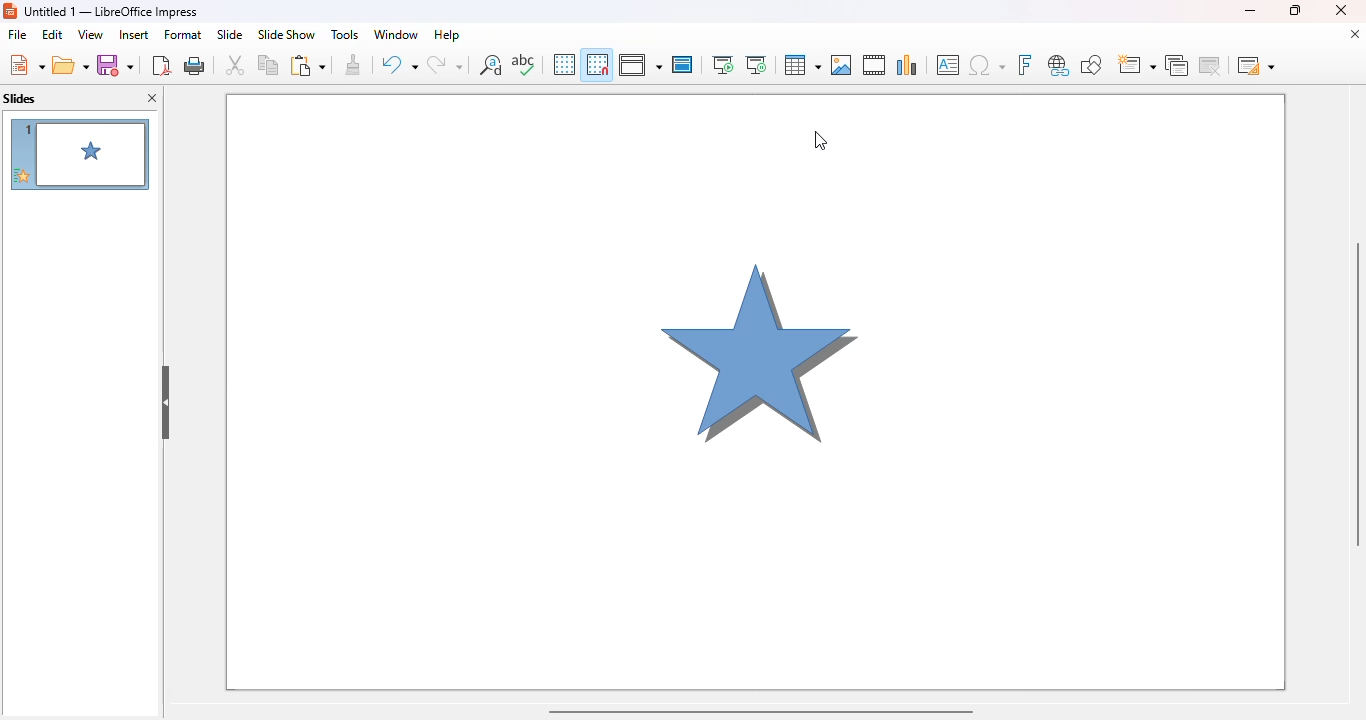  I want to click on file, so click(18, 34).